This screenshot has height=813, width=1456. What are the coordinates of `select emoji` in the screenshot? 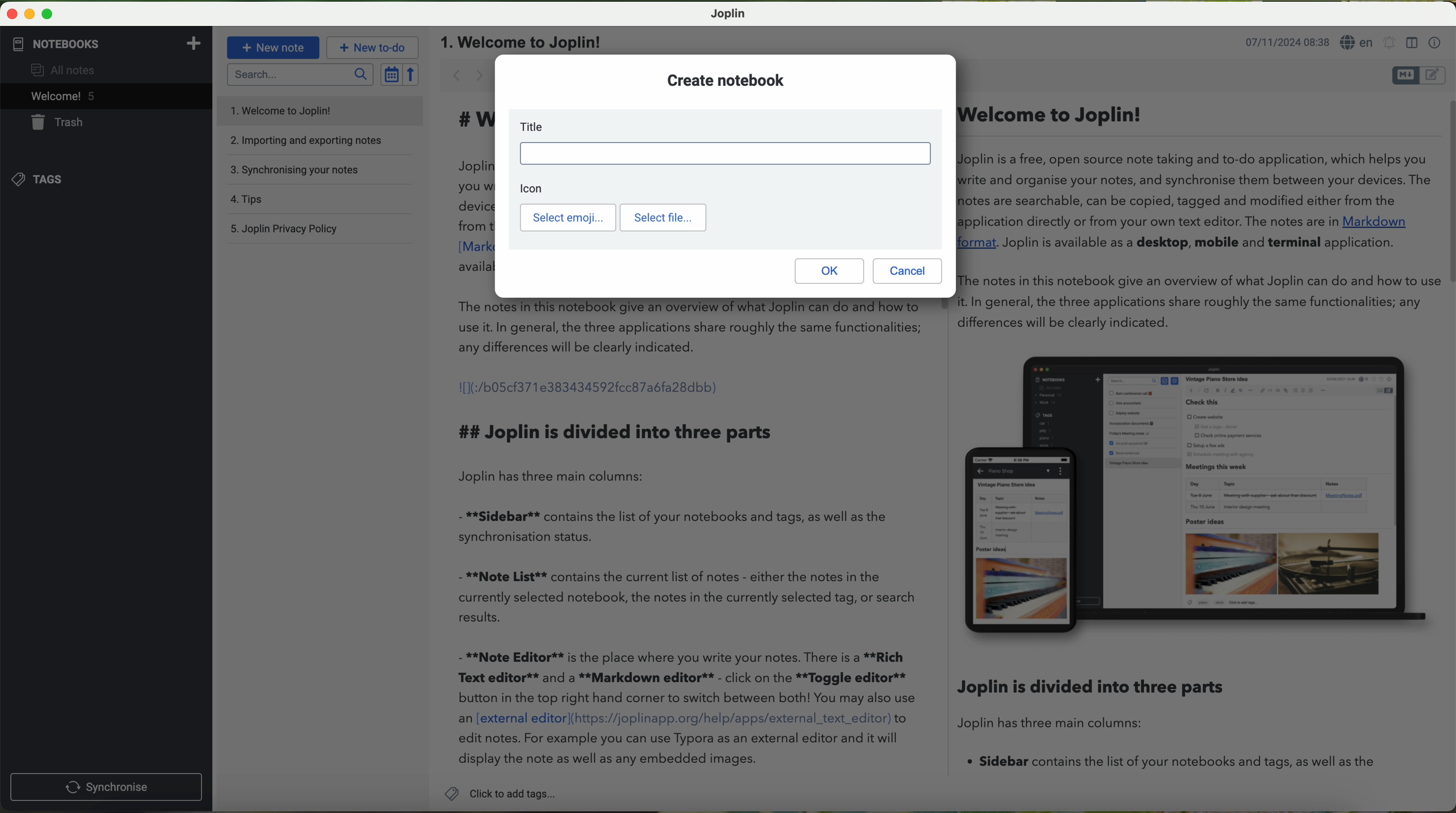 It's located at (567, 218).